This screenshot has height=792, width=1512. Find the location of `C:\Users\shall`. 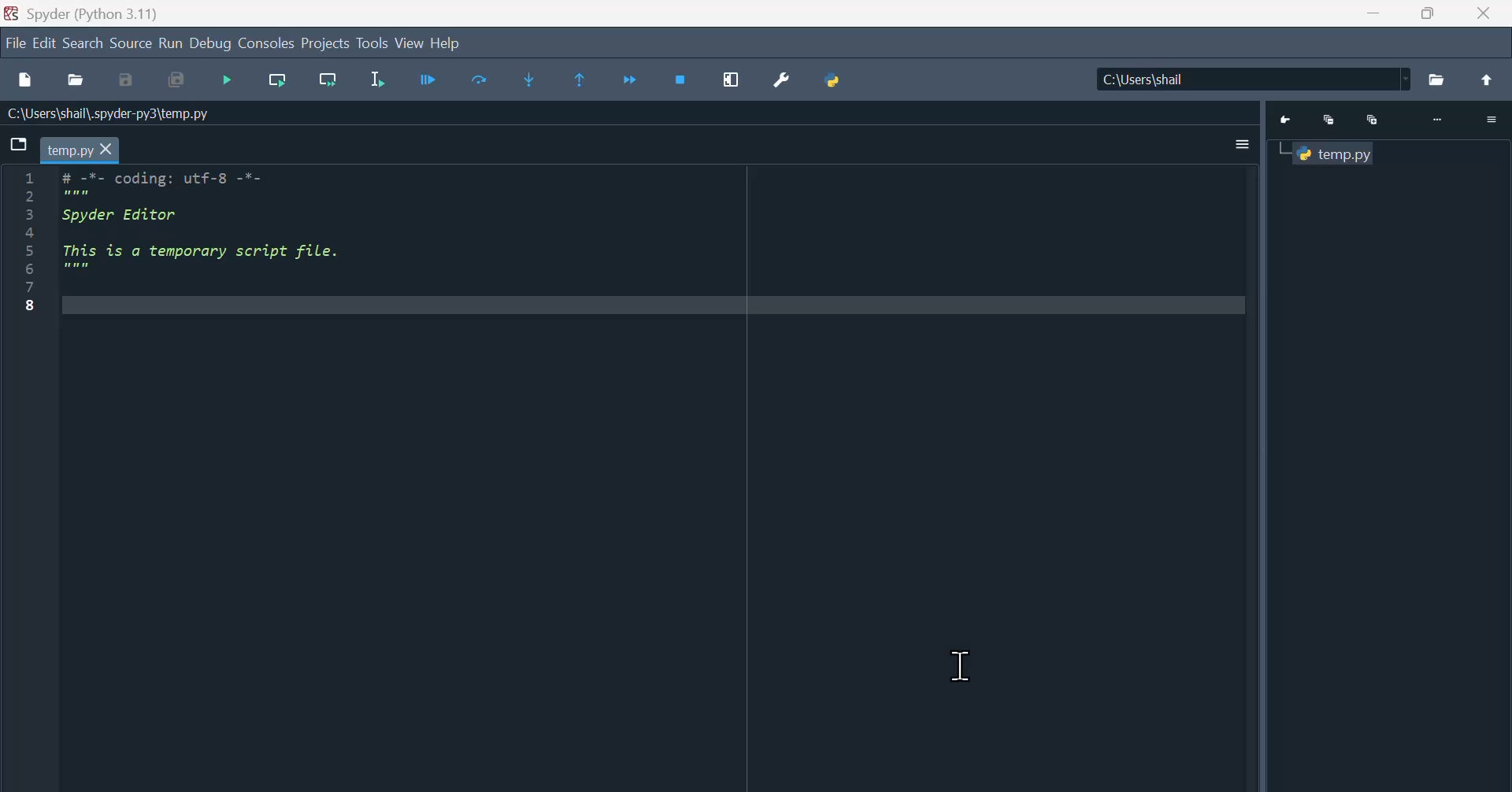

C:\Users\shall is located at coordinates (1251, 79).